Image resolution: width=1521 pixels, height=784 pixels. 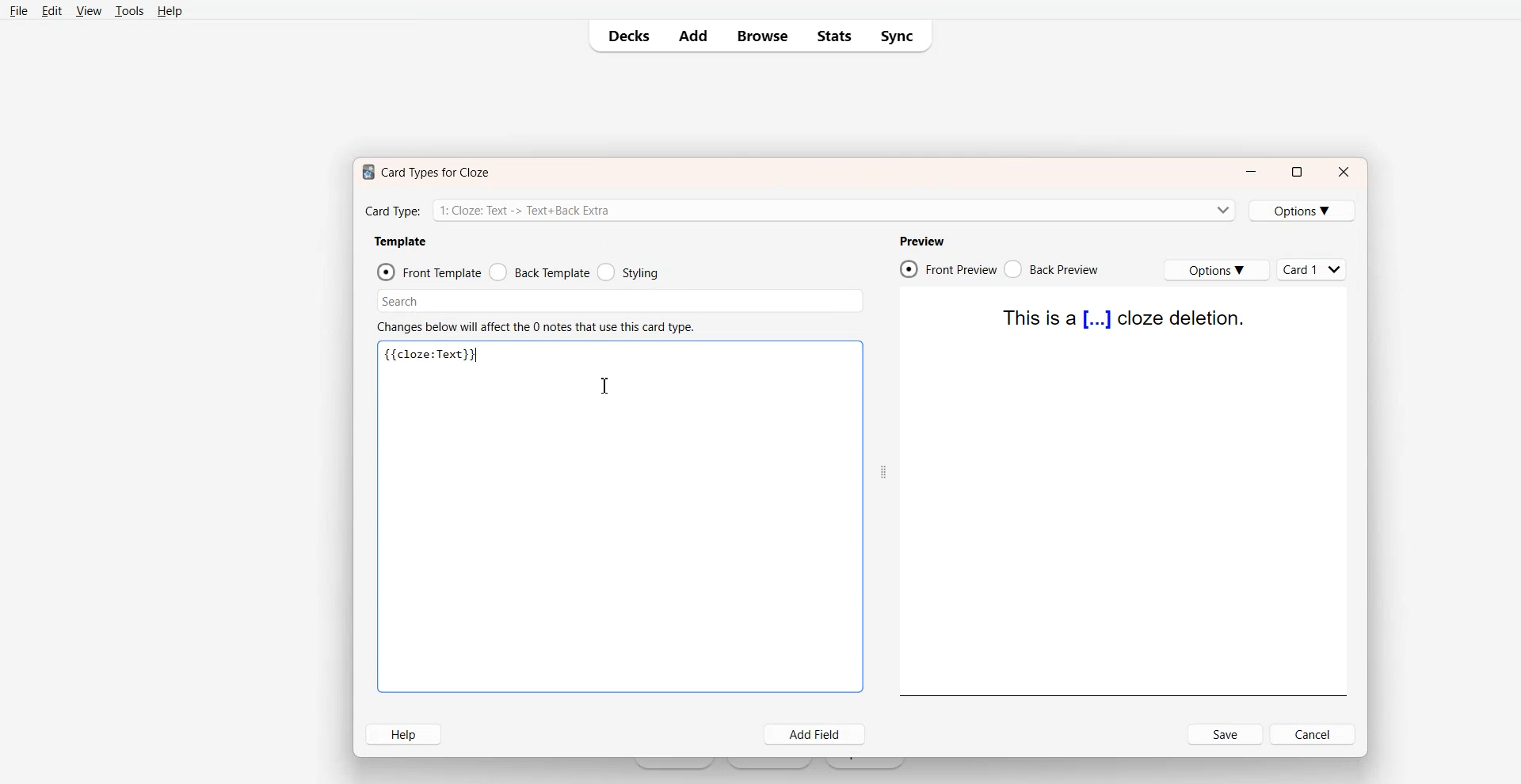 What do you see at coordinates (1054, 269) in the screenshot?
I see `Back Preview` at bounding box center [1054, 269].